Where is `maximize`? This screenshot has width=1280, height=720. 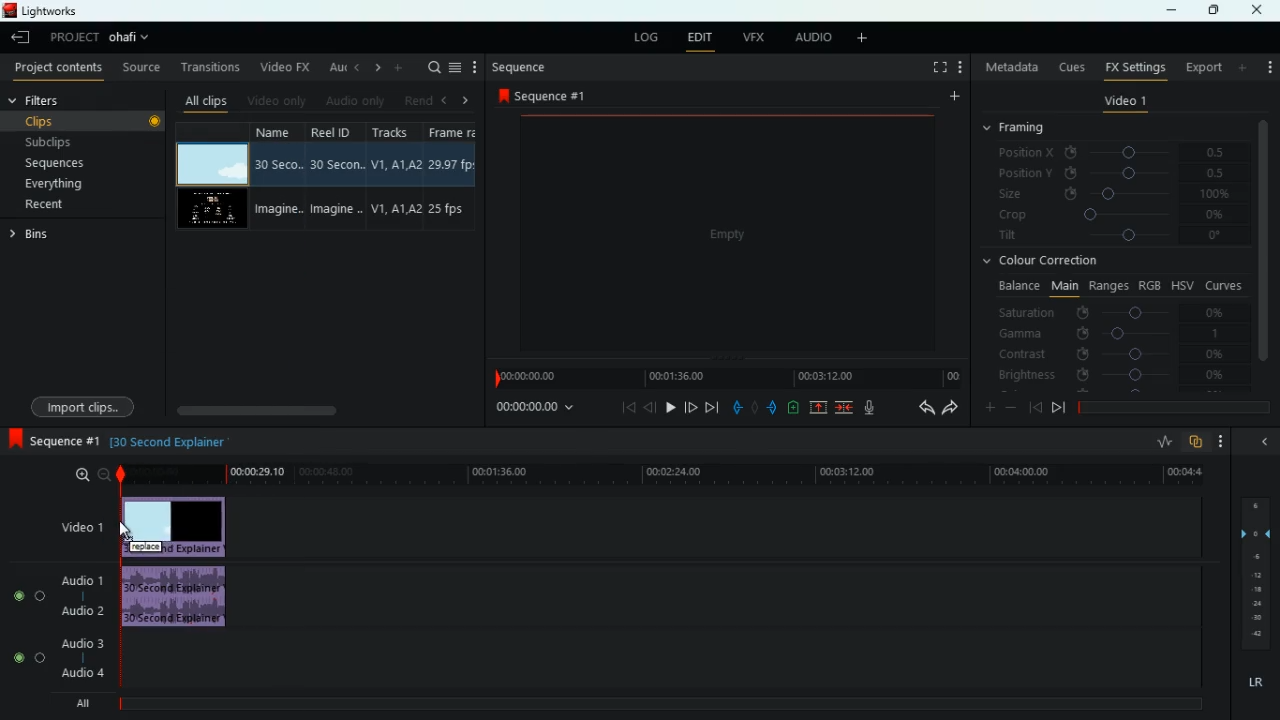 maximize is located at coordinates (1210, 11).